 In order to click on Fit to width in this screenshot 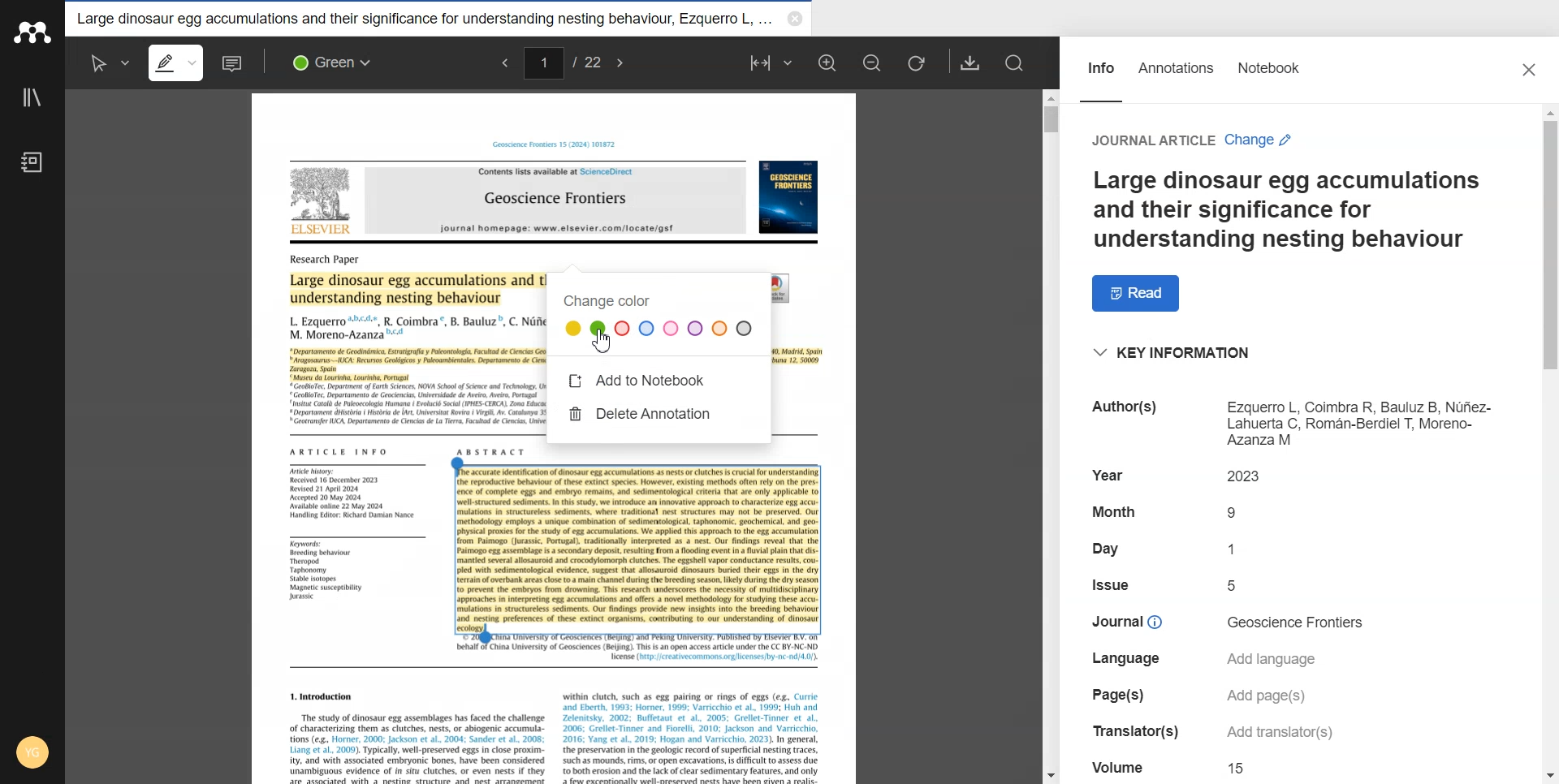, I will do `click(771, 62)`.